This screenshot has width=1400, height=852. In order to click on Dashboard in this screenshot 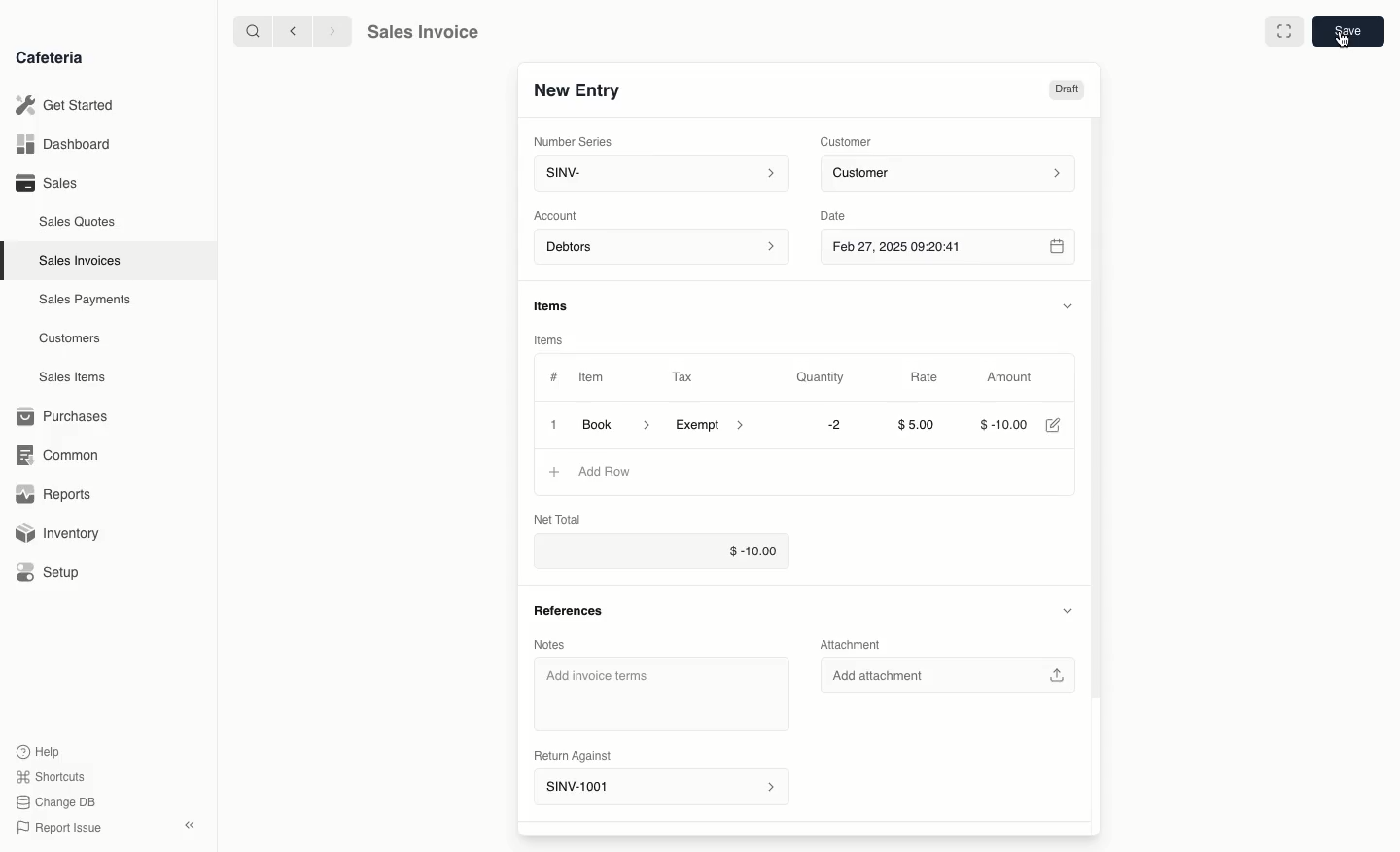, I will do `click(63, 144)`.